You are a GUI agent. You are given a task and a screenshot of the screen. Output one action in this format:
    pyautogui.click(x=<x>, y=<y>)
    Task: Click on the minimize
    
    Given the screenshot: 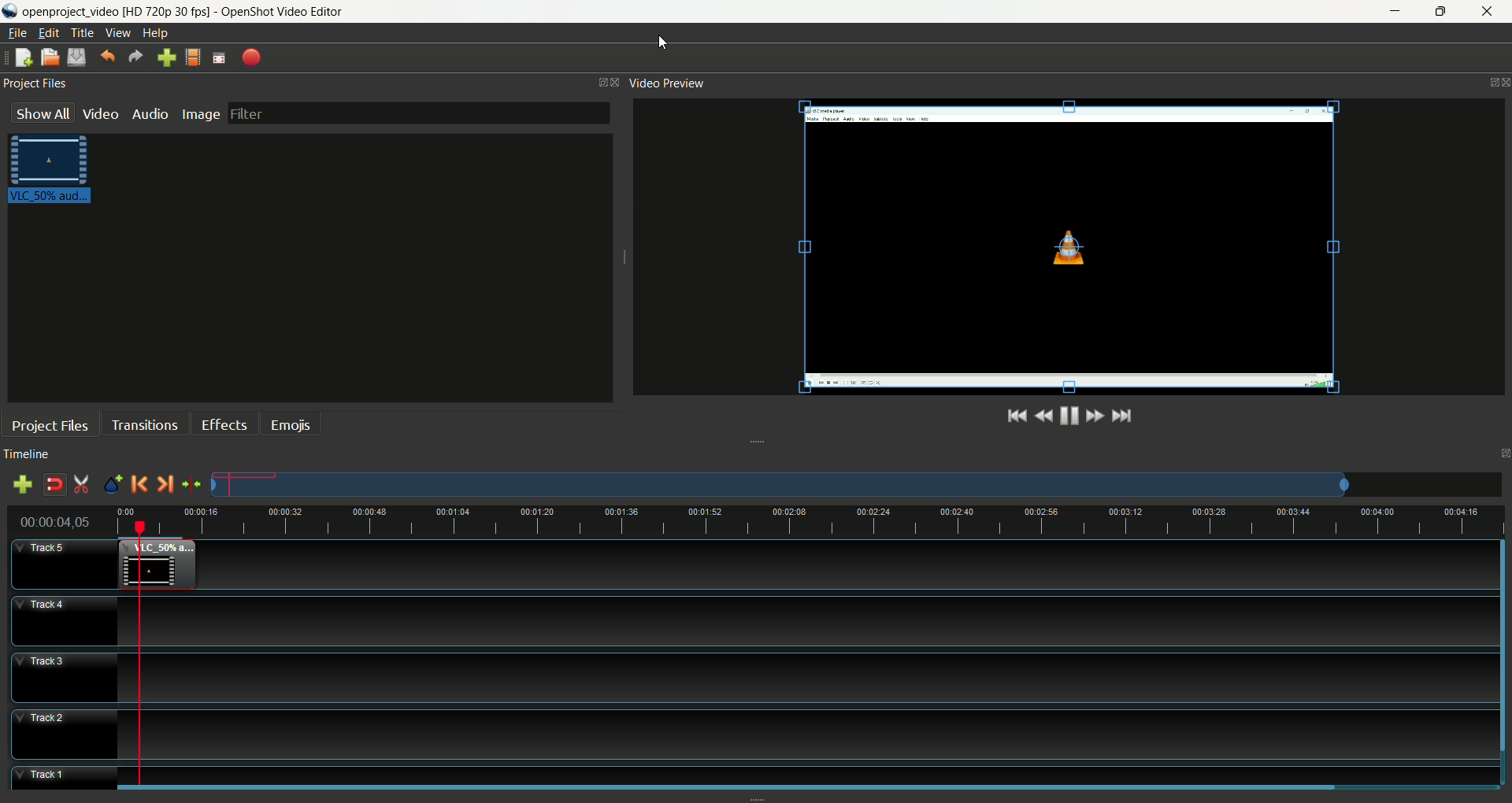 What is the action you would take?
    pyautogui.click(x=1392, y=12)
    